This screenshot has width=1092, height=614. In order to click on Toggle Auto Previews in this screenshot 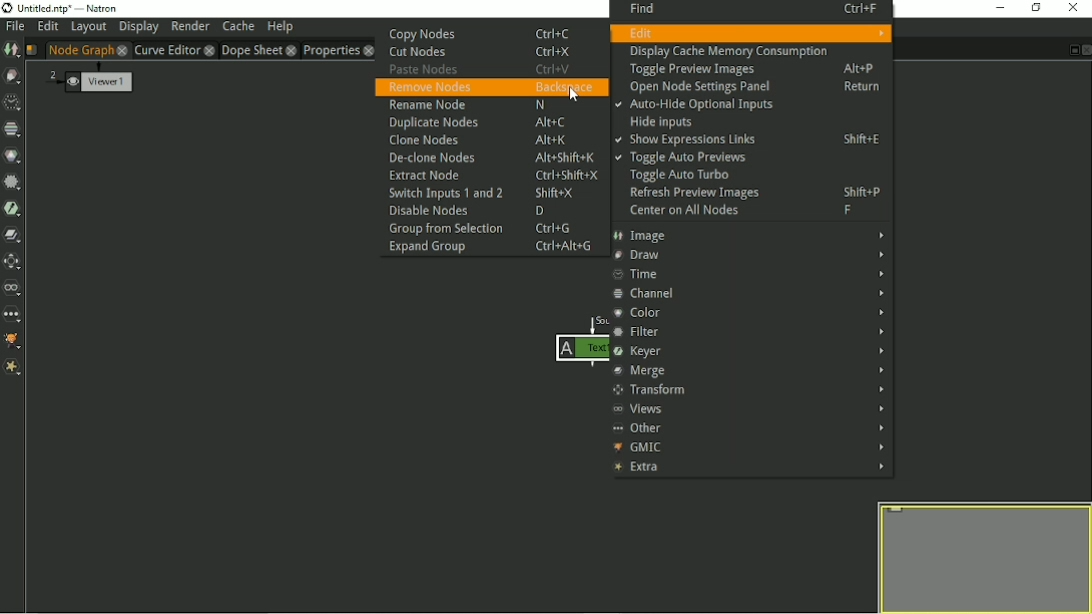, I will do `click(681, 158)`.